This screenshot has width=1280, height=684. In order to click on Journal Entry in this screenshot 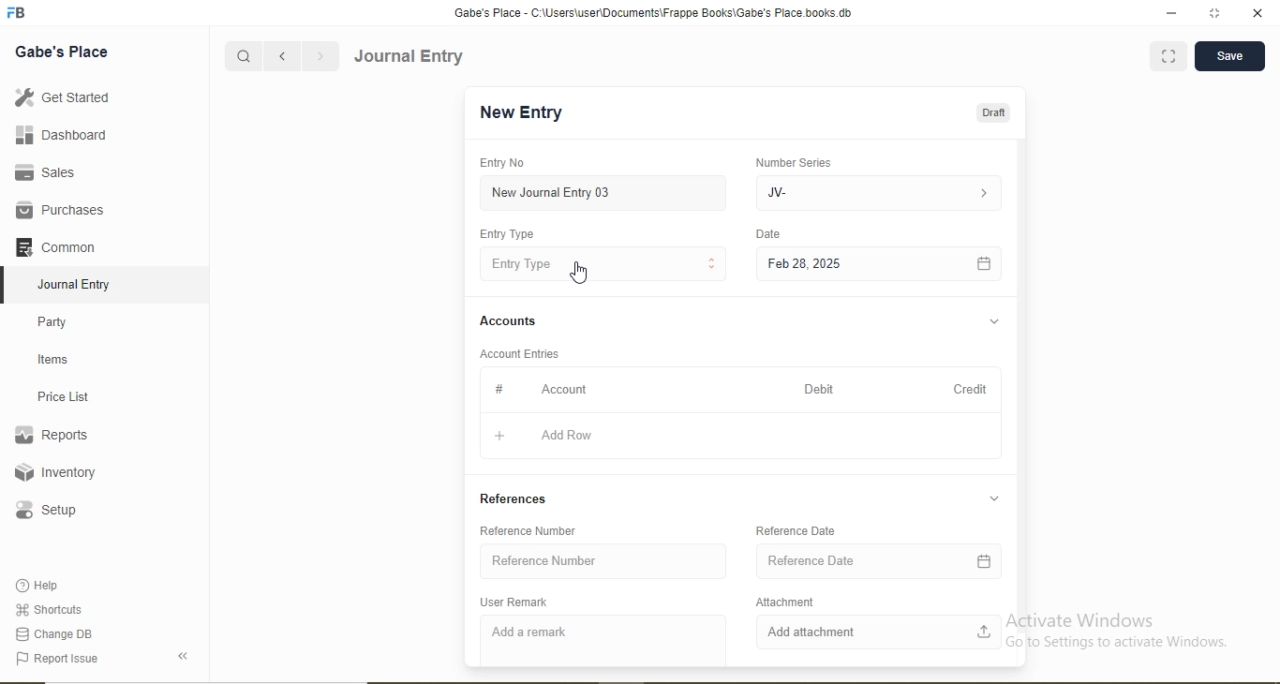, I will do `click(76, 285)`.